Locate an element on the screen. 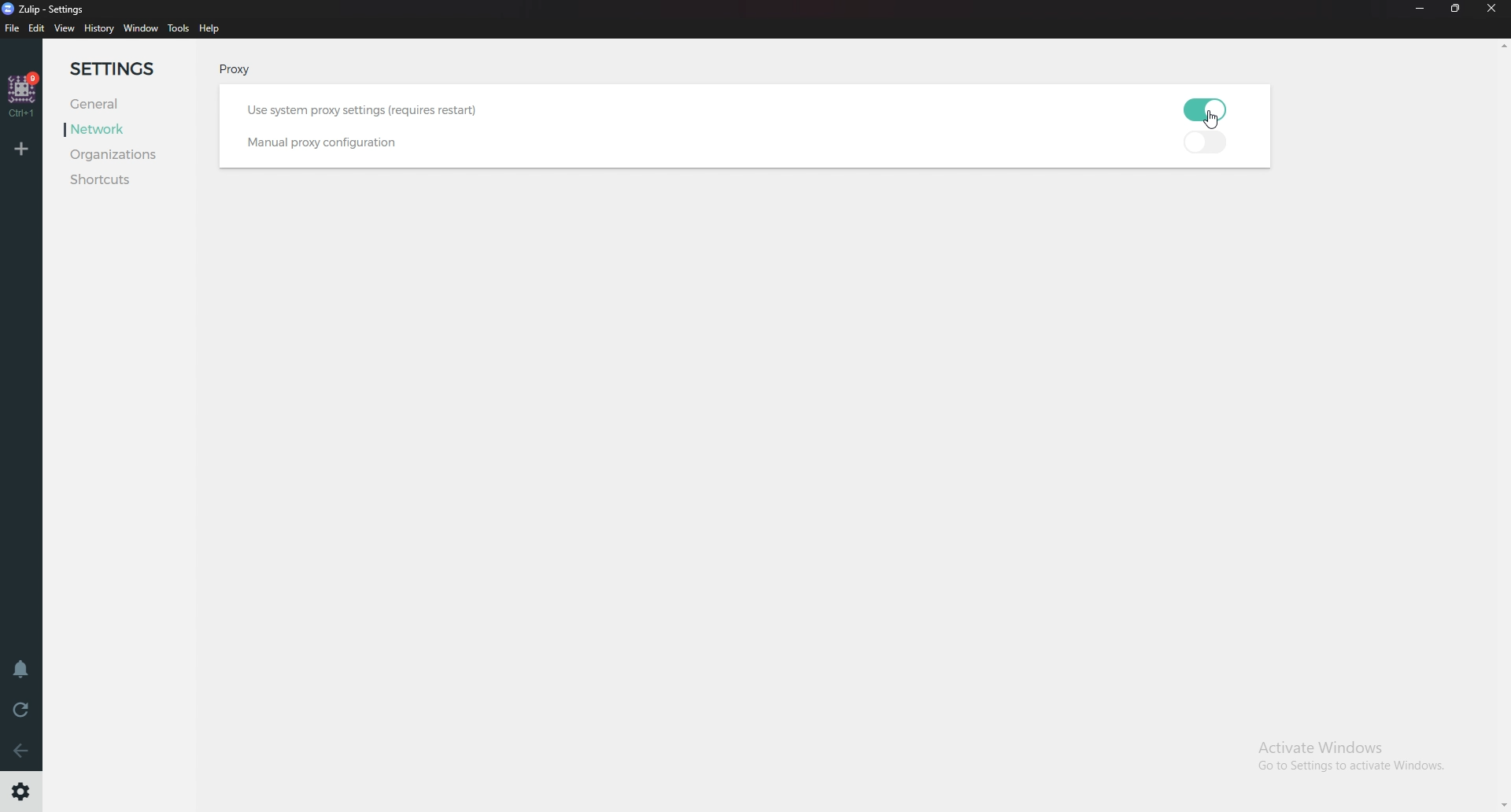 The width and height of the screenshot is (1511, 812). help is located at coordinates (210, 30).